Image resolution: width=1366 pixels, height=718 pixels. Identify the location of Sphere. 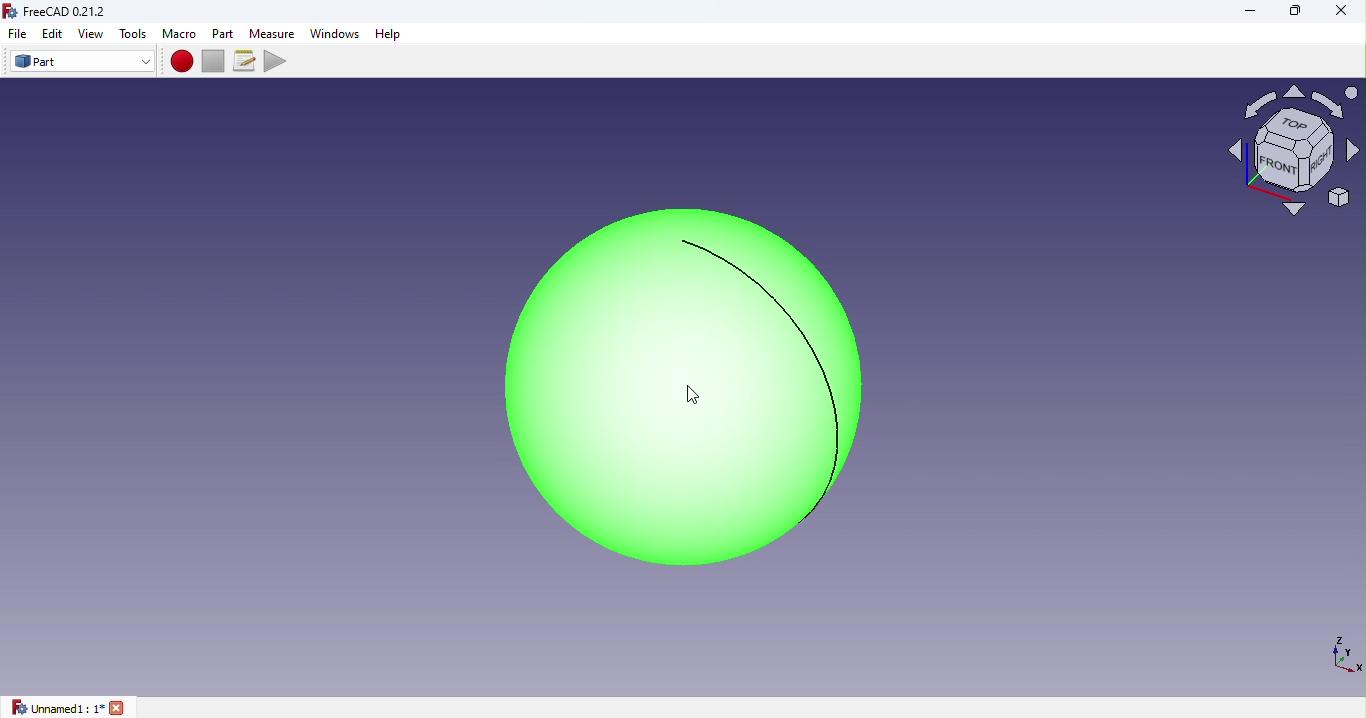
(670, 387).